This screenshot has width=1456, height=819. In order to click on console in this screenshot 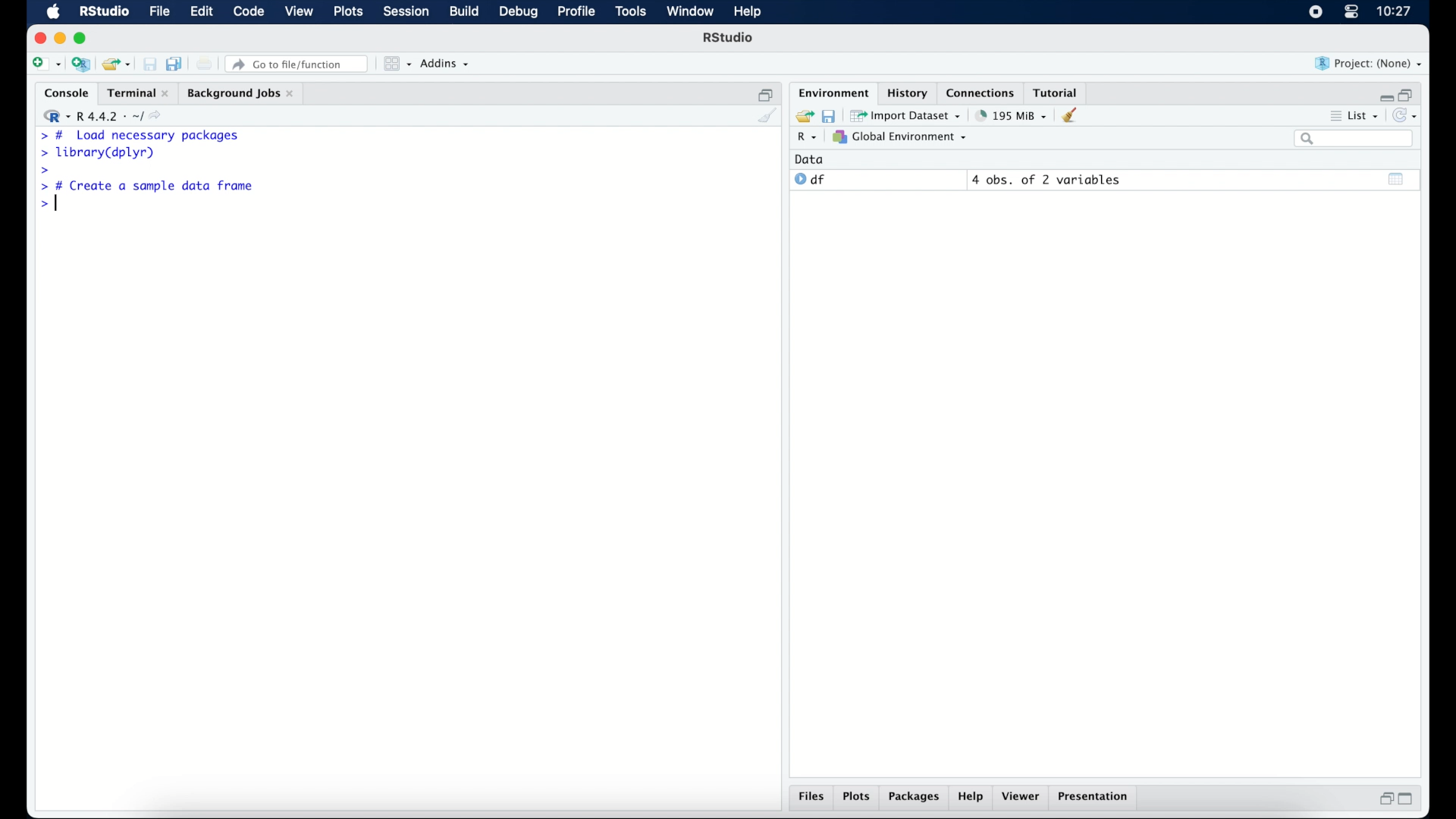, I will do `click(63, 93)`.